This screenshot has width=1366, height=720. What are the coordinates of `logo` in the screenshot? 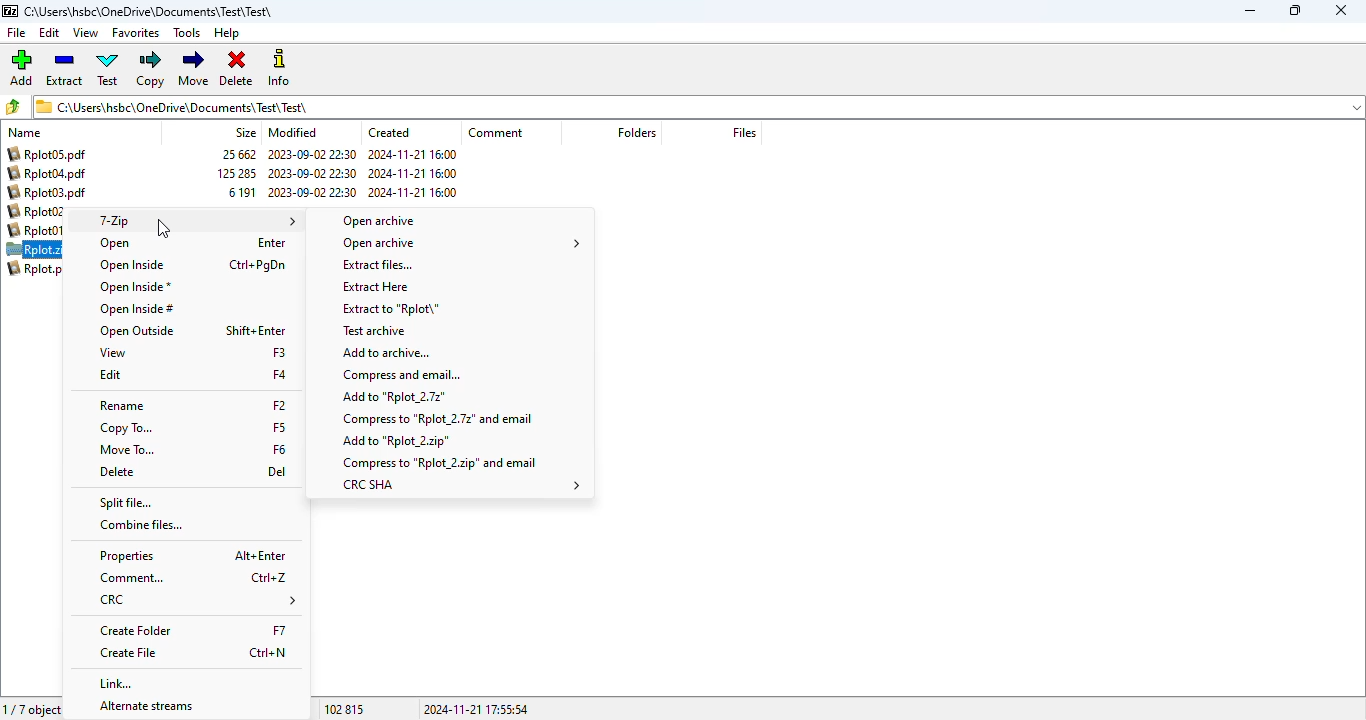 It's located at (9, 11).